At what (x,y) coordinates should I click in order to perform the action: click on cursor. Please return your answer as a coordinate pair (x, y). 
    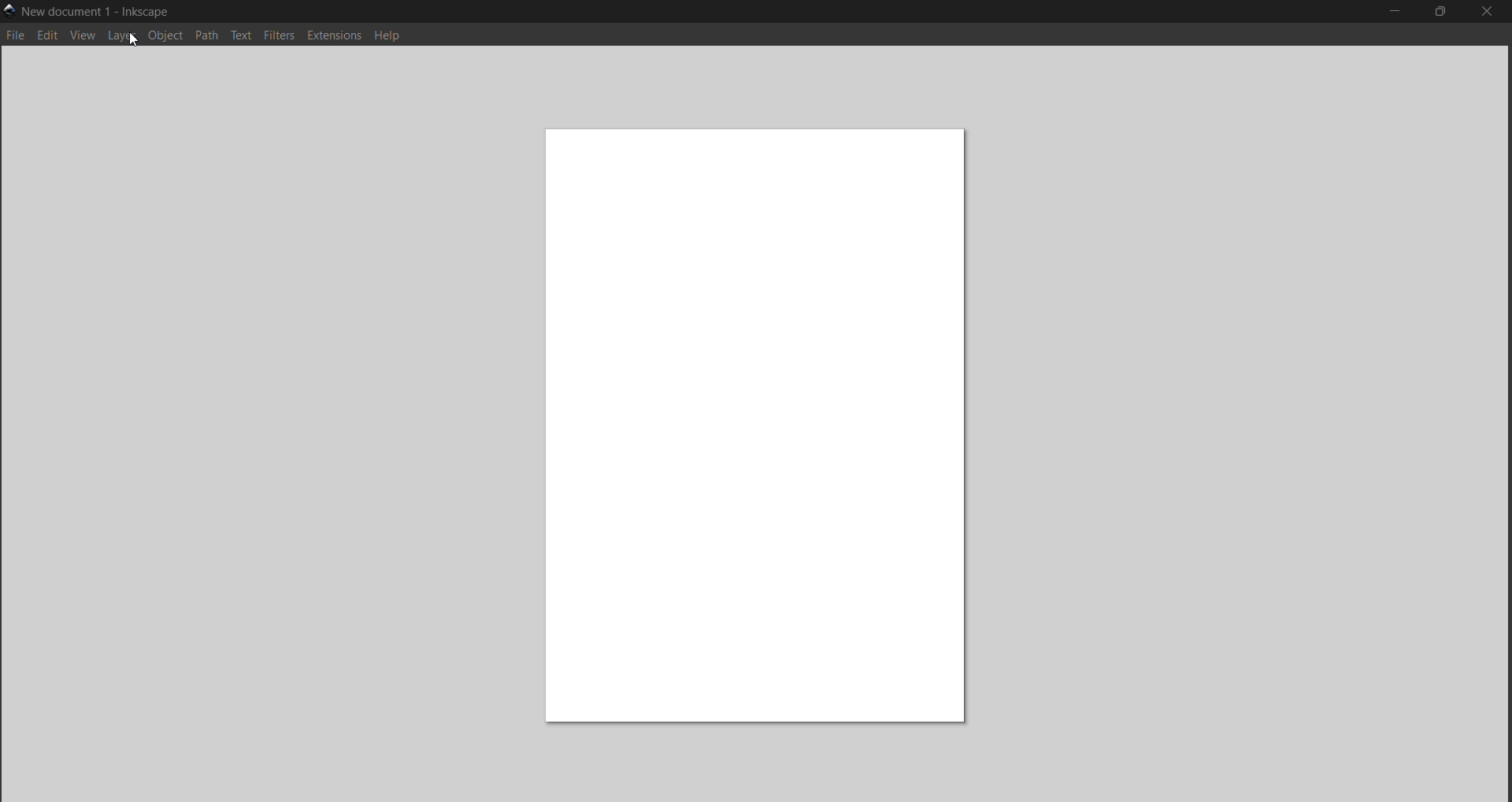
    Looking at the image, I should click on (128, 39).